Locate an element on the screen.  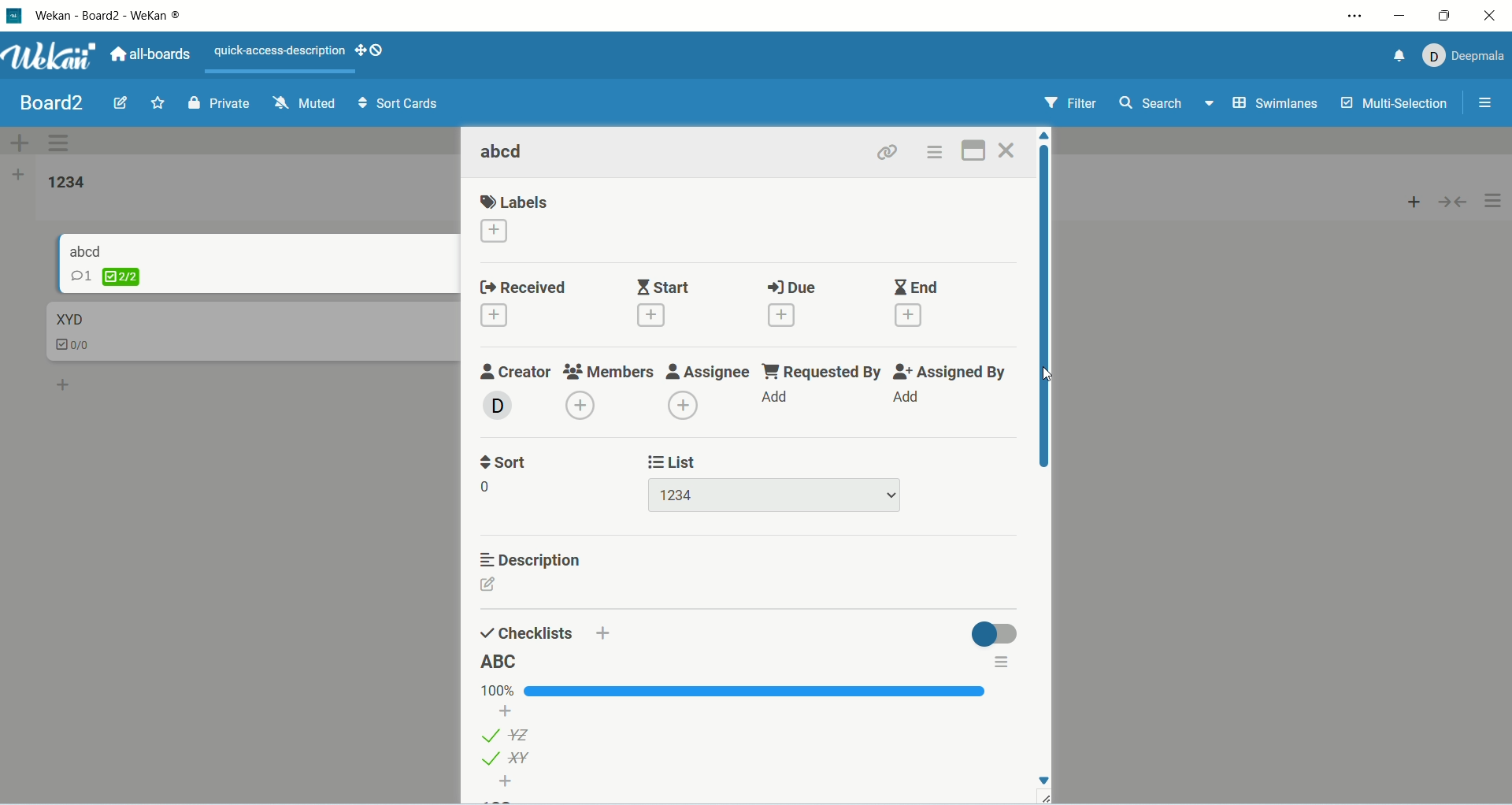
list title is located at coordinates (69, 183).